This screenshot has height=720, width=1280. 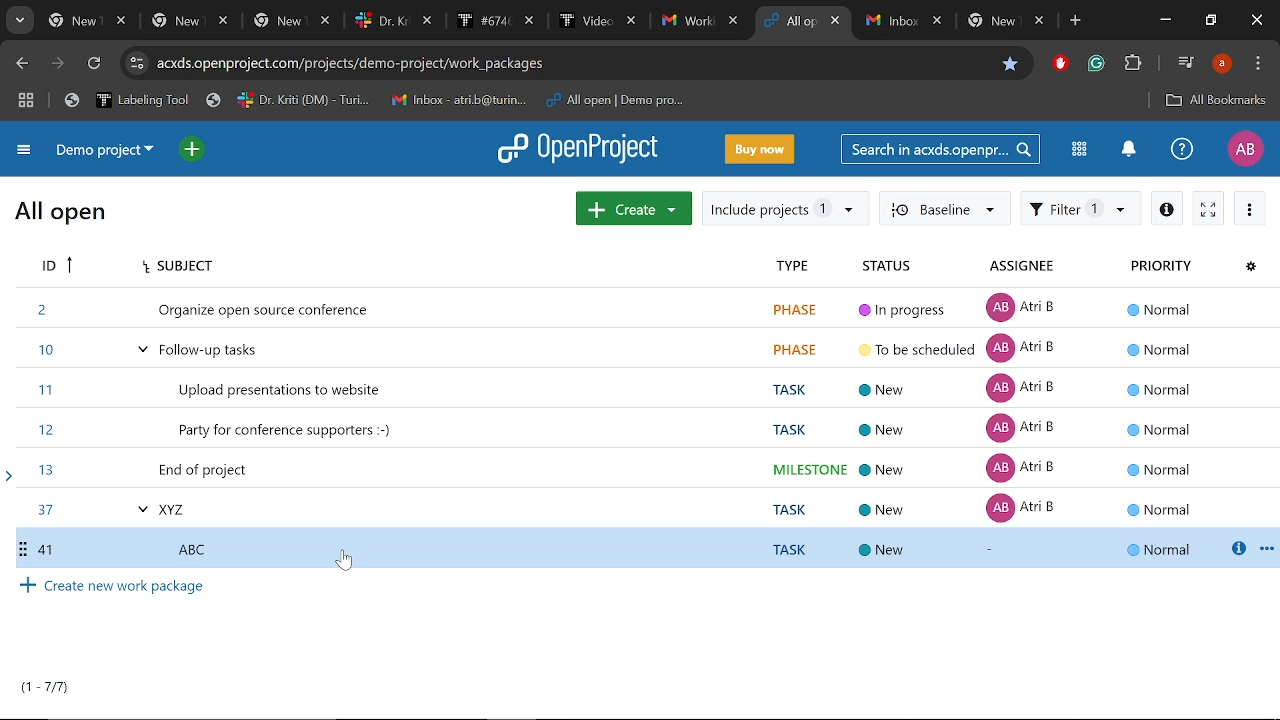 What do you see at coordinates (1082, 209) in the screenshot?
I see `Filter` at bounding box center [1082, 209].